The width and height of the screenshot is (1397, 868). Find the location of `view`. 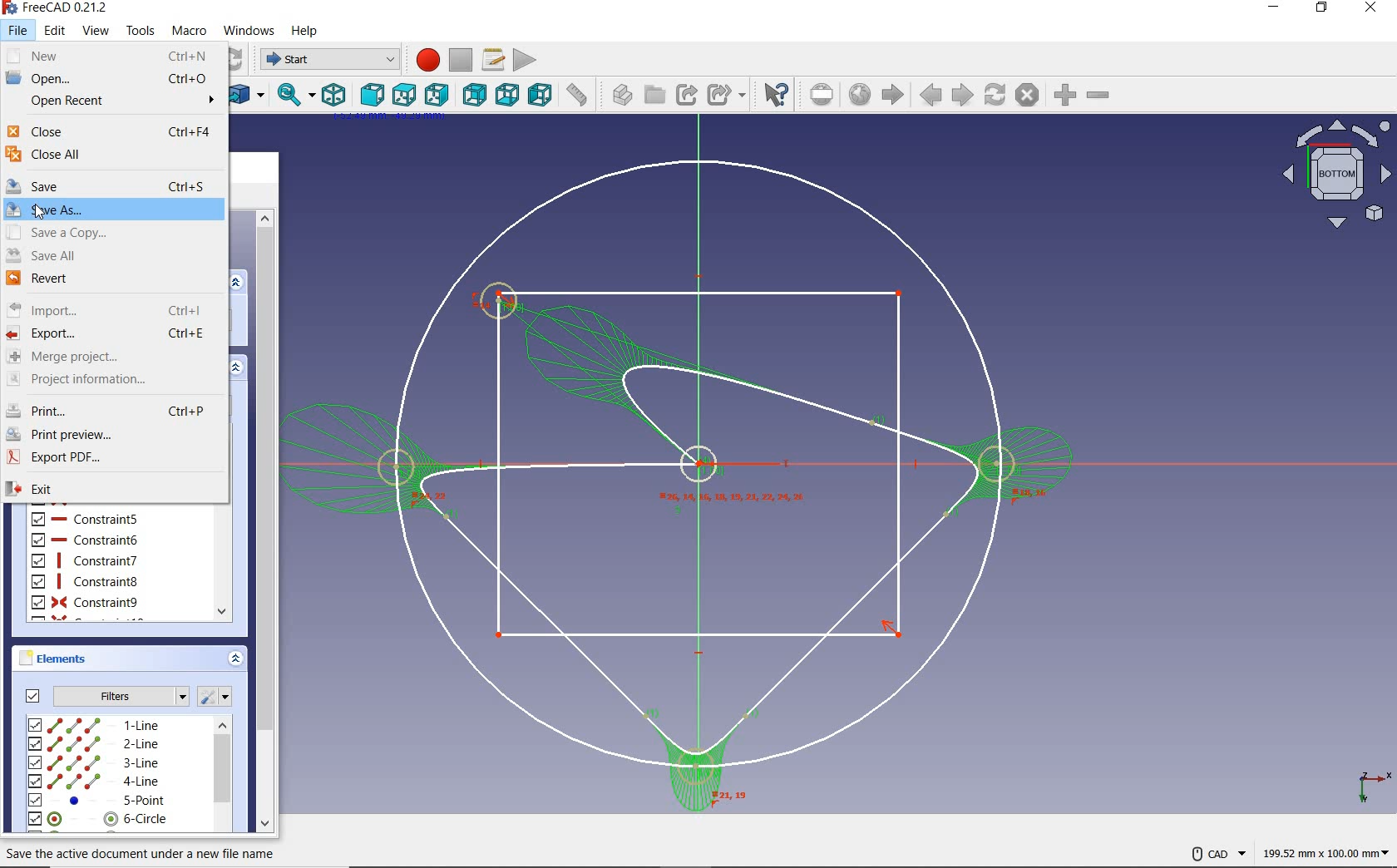

view is located at coordinates (97, 31).